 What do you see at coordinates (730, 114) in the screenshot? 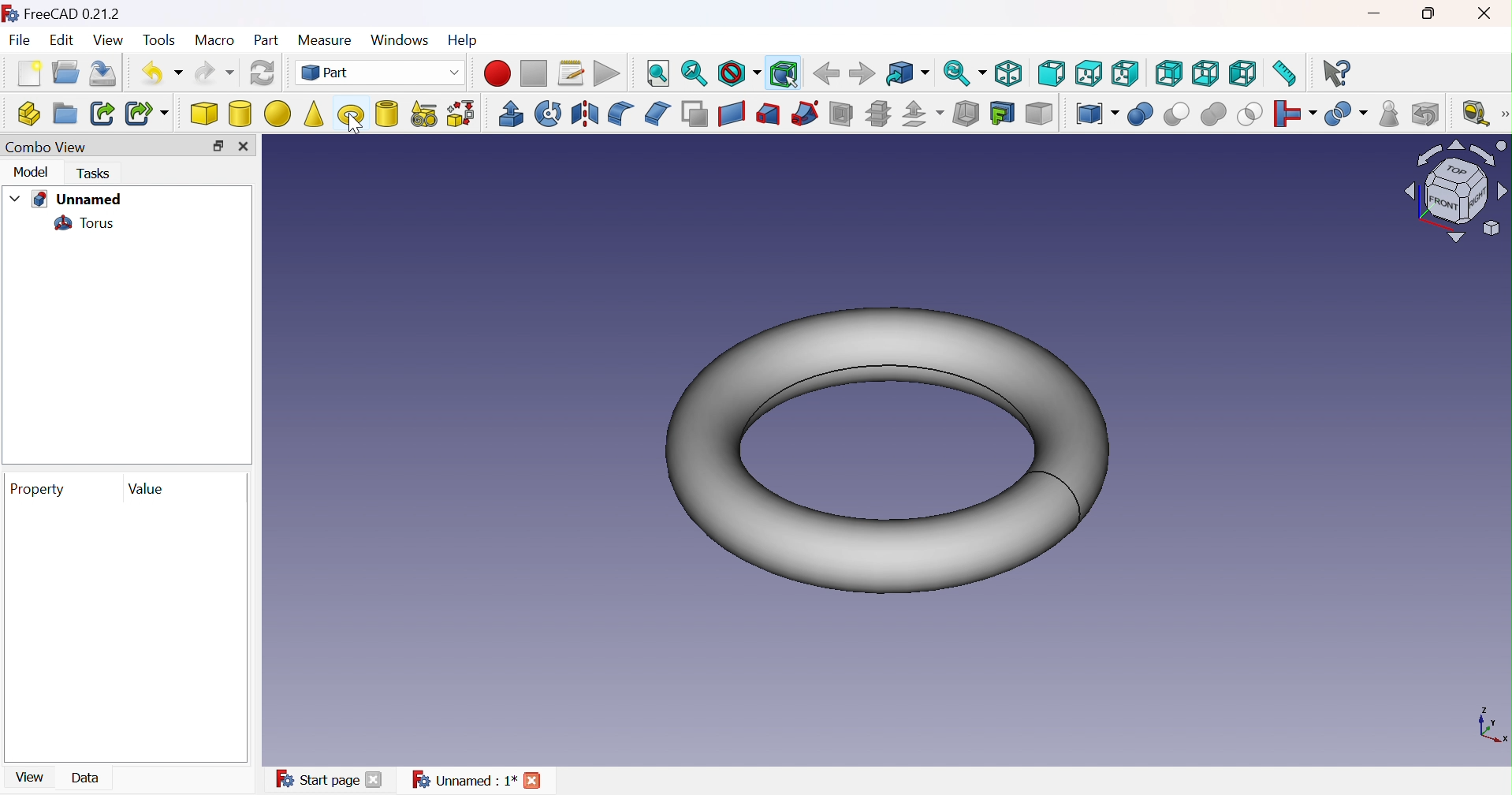
I see `Create ruled surface` at bounding box center [730, 114].